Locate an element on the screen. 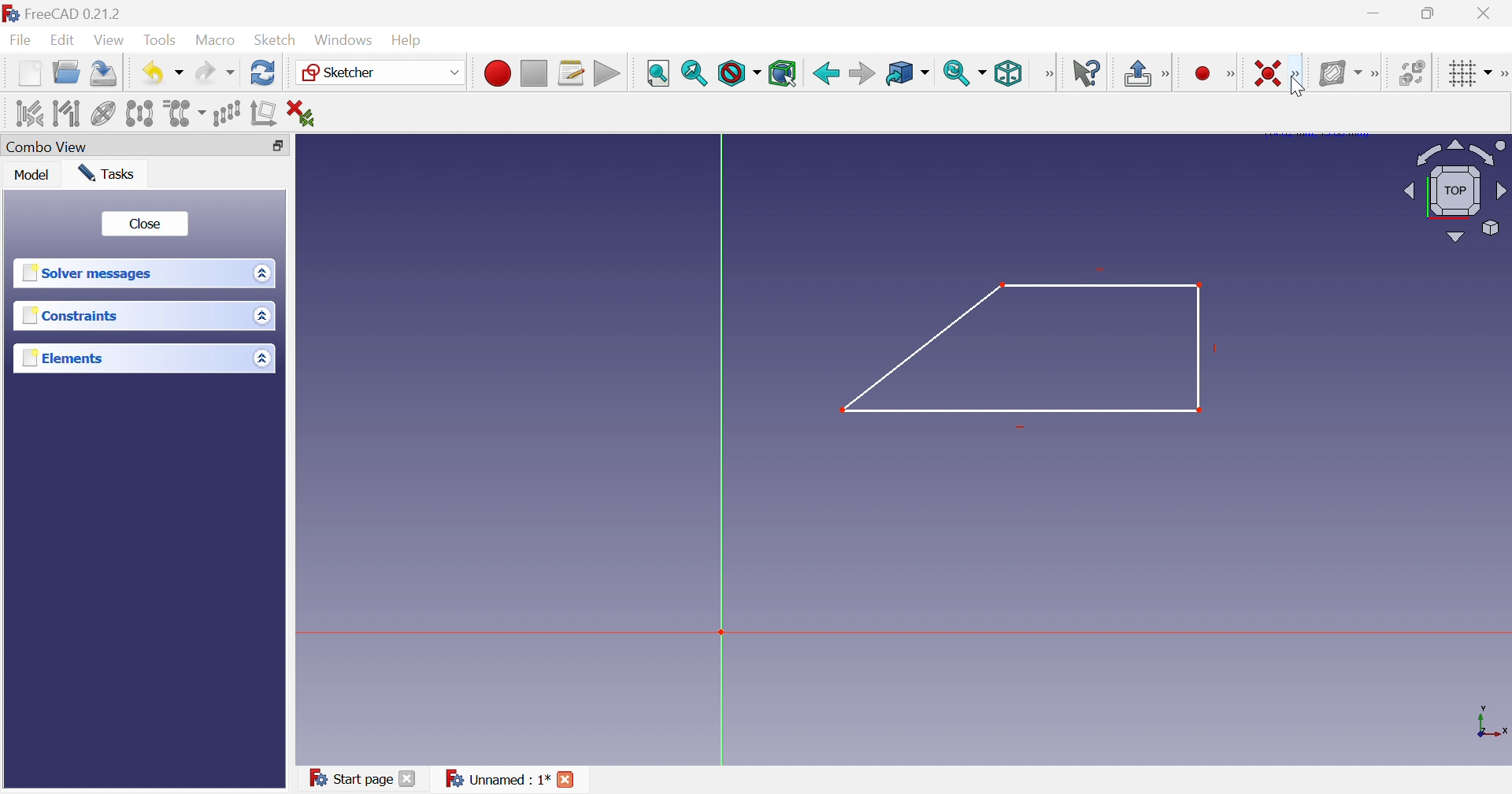 This screenshot has width=1512, height=794. Toggle grid is located at coordinates (1458, 73).